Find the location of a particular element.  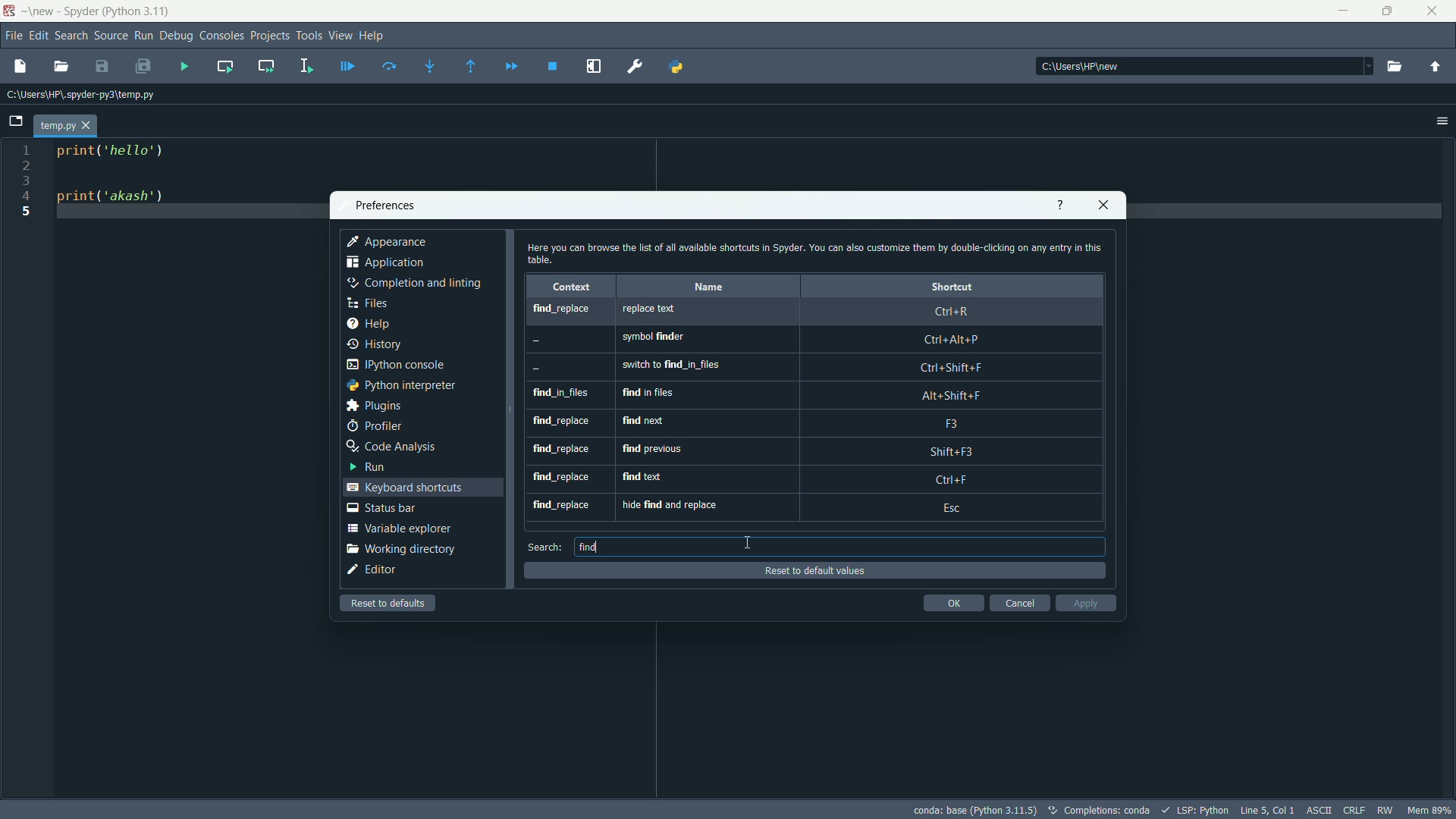

2 is located at coordinates (25, 165).